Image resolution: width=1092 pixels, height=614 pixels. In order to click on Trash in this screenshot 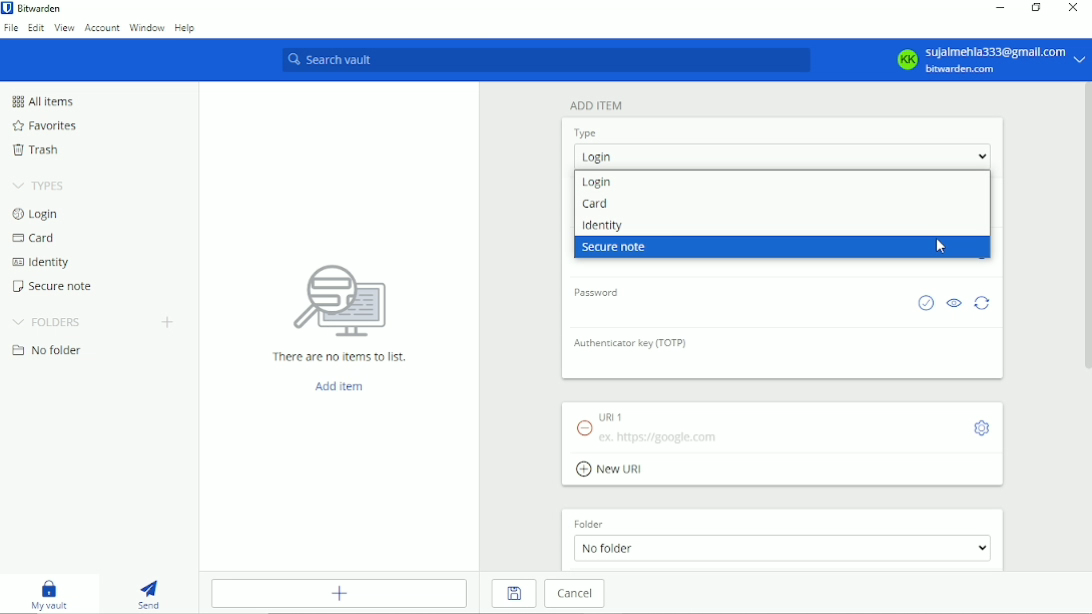, I will do `click(35, 149)`.